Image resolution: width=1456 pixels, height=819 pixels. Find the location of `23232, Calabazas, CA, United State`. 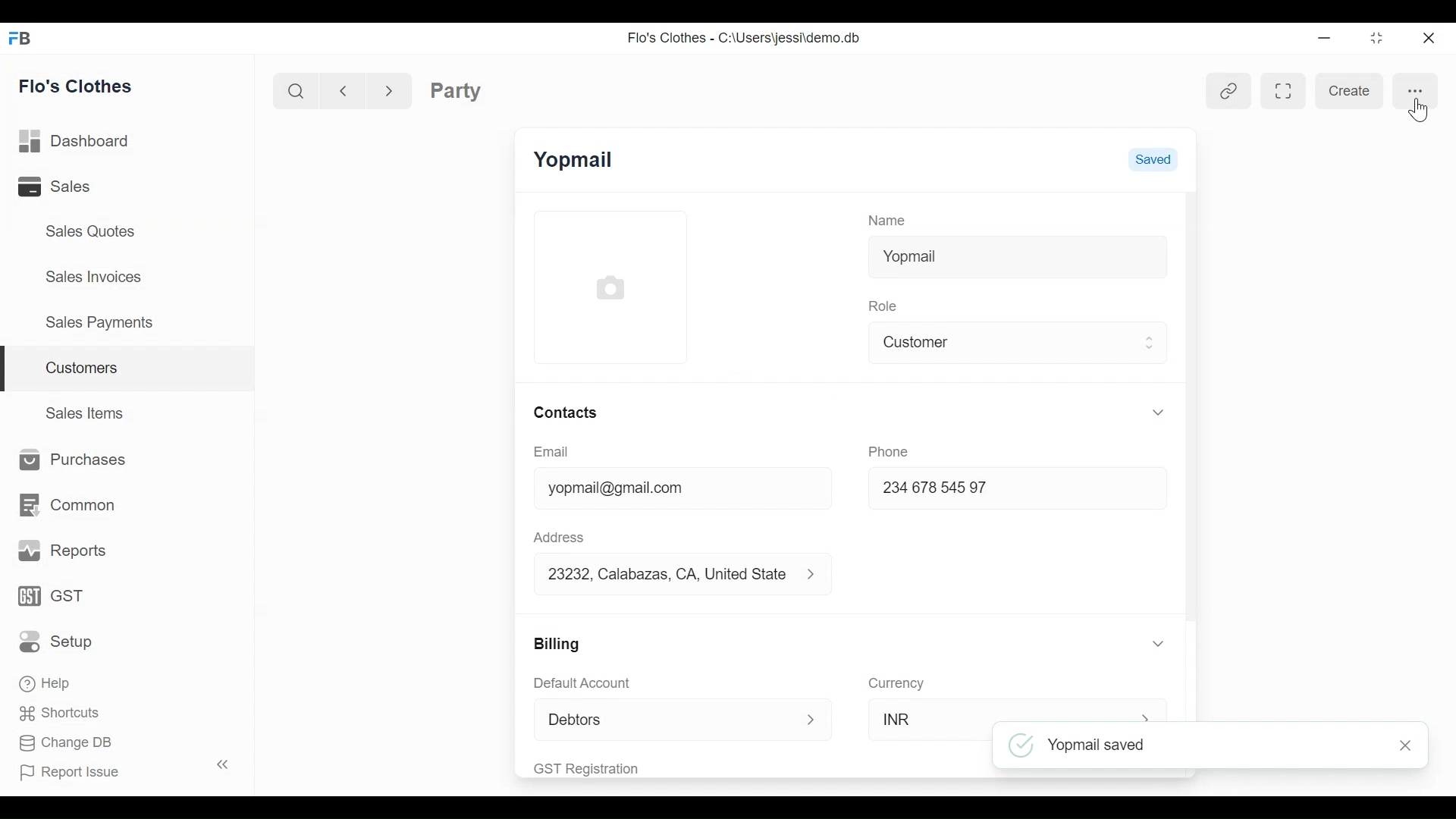

23232, Calabazas, CA, United State is located at coordinates (670, 575).